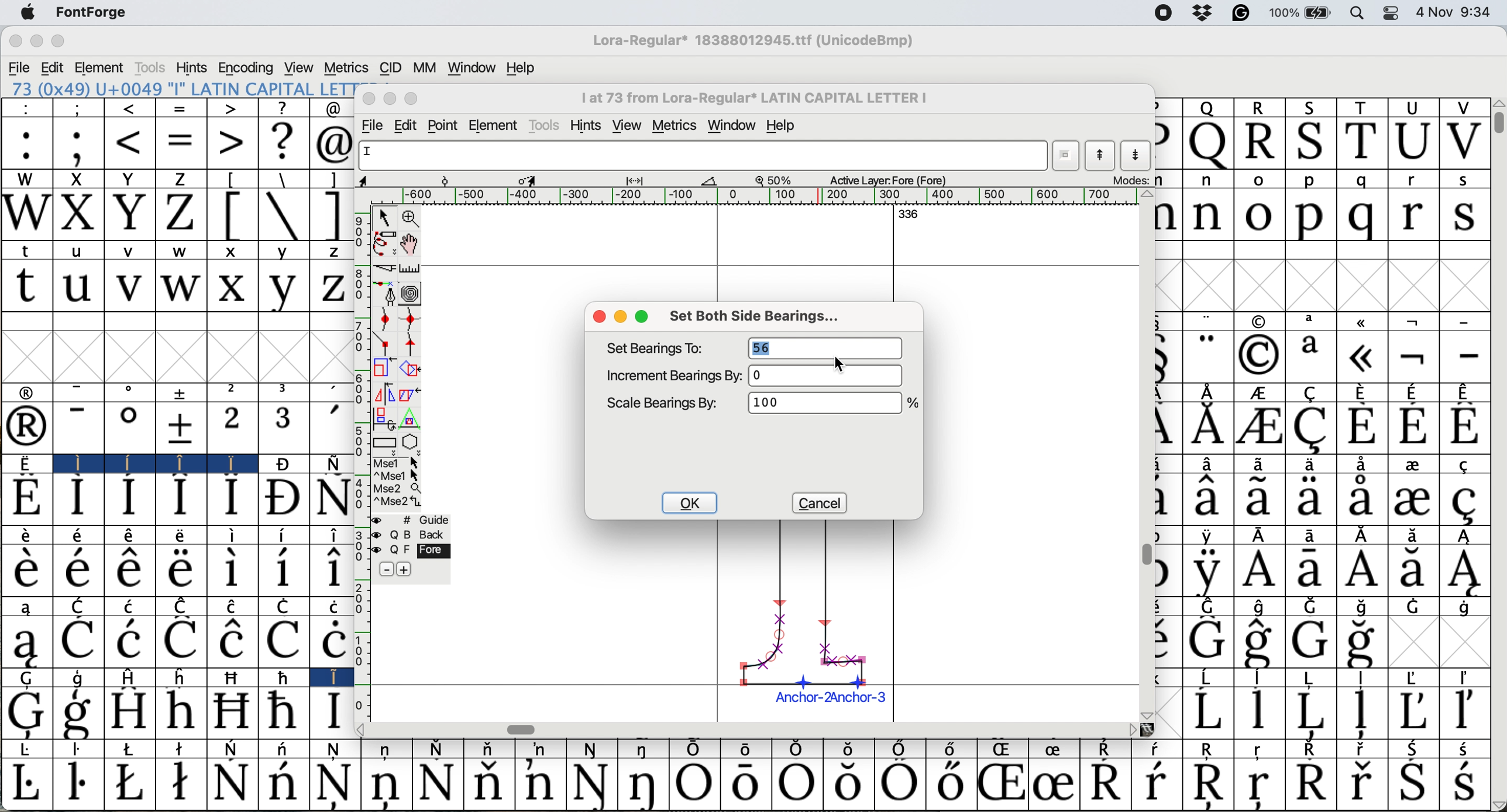  Describe the element at coordinates (77, 569) in the screenshot. I see `Symbol` at that location.